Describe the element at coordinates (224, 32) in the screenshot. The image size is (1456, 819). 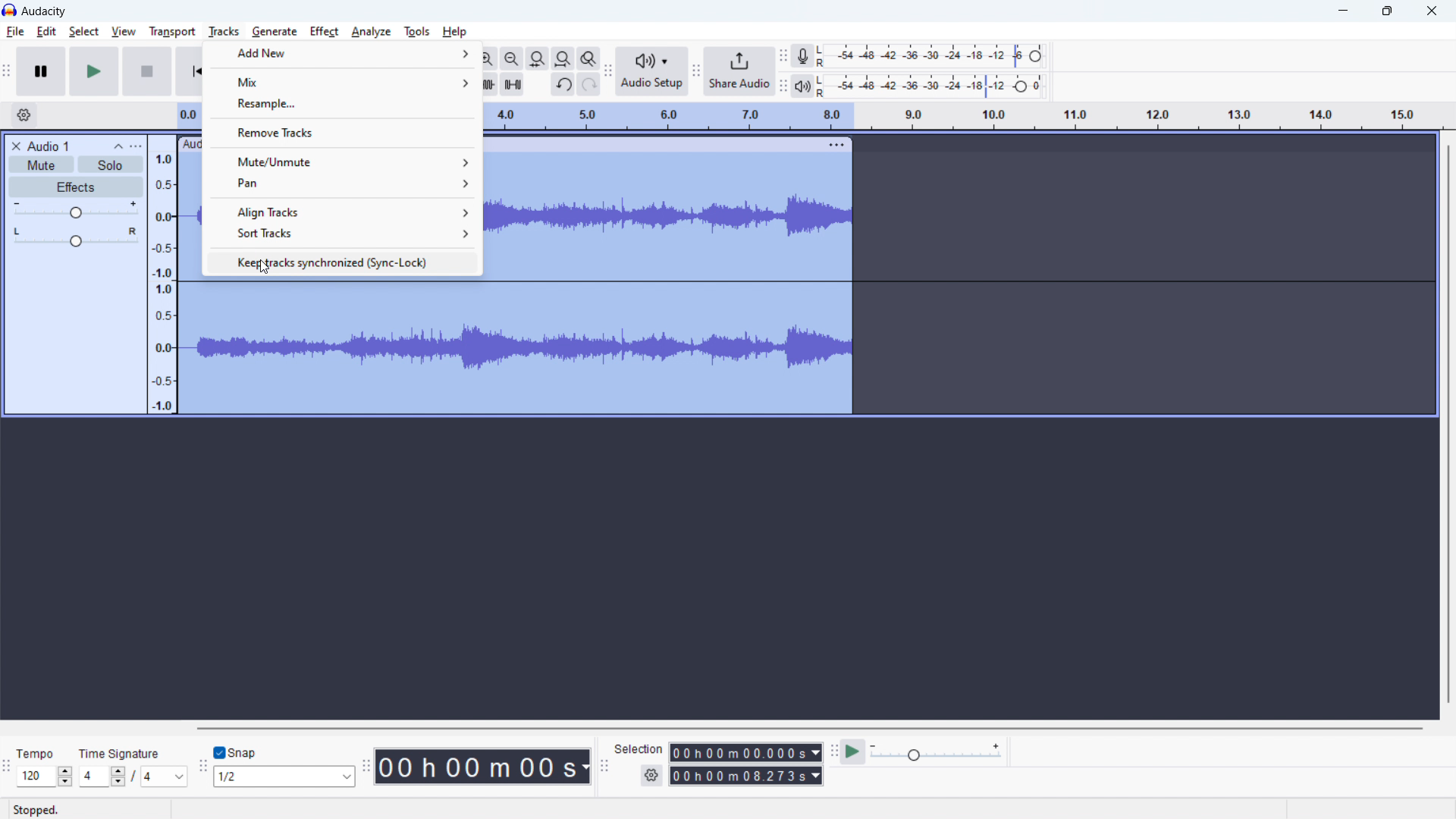
I see `tracks` at that location.